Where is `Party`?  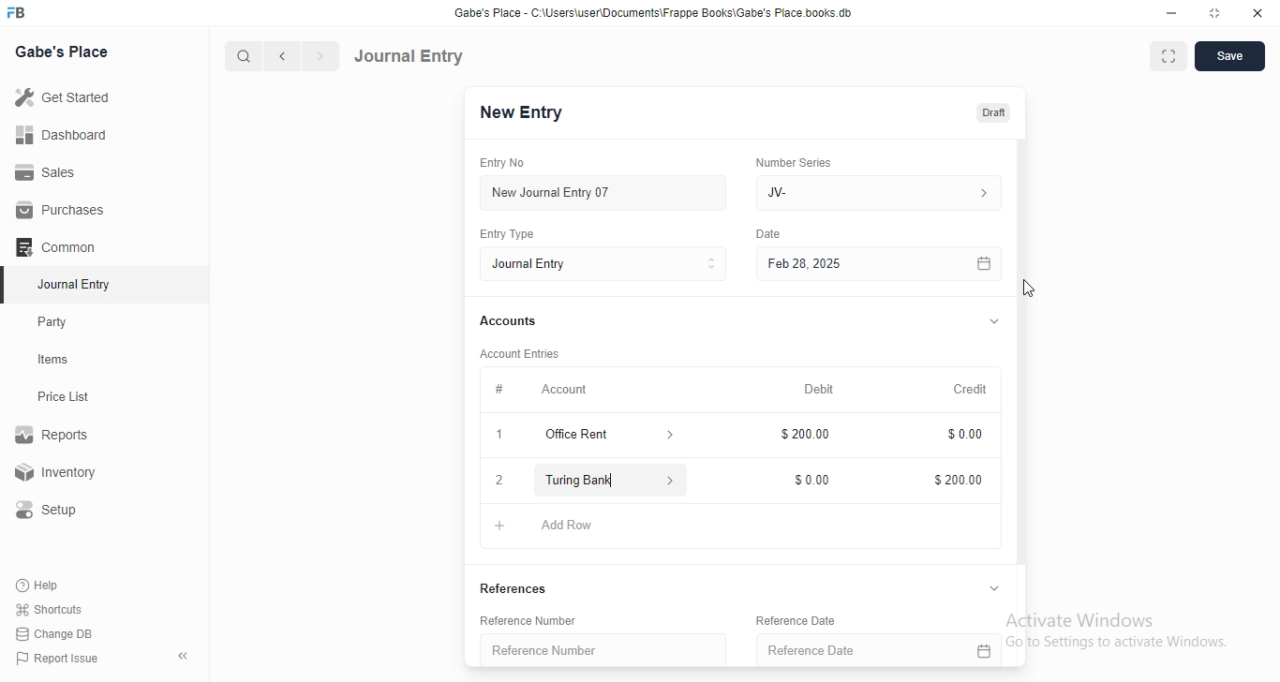 Party is located at coordinates (57, 322).